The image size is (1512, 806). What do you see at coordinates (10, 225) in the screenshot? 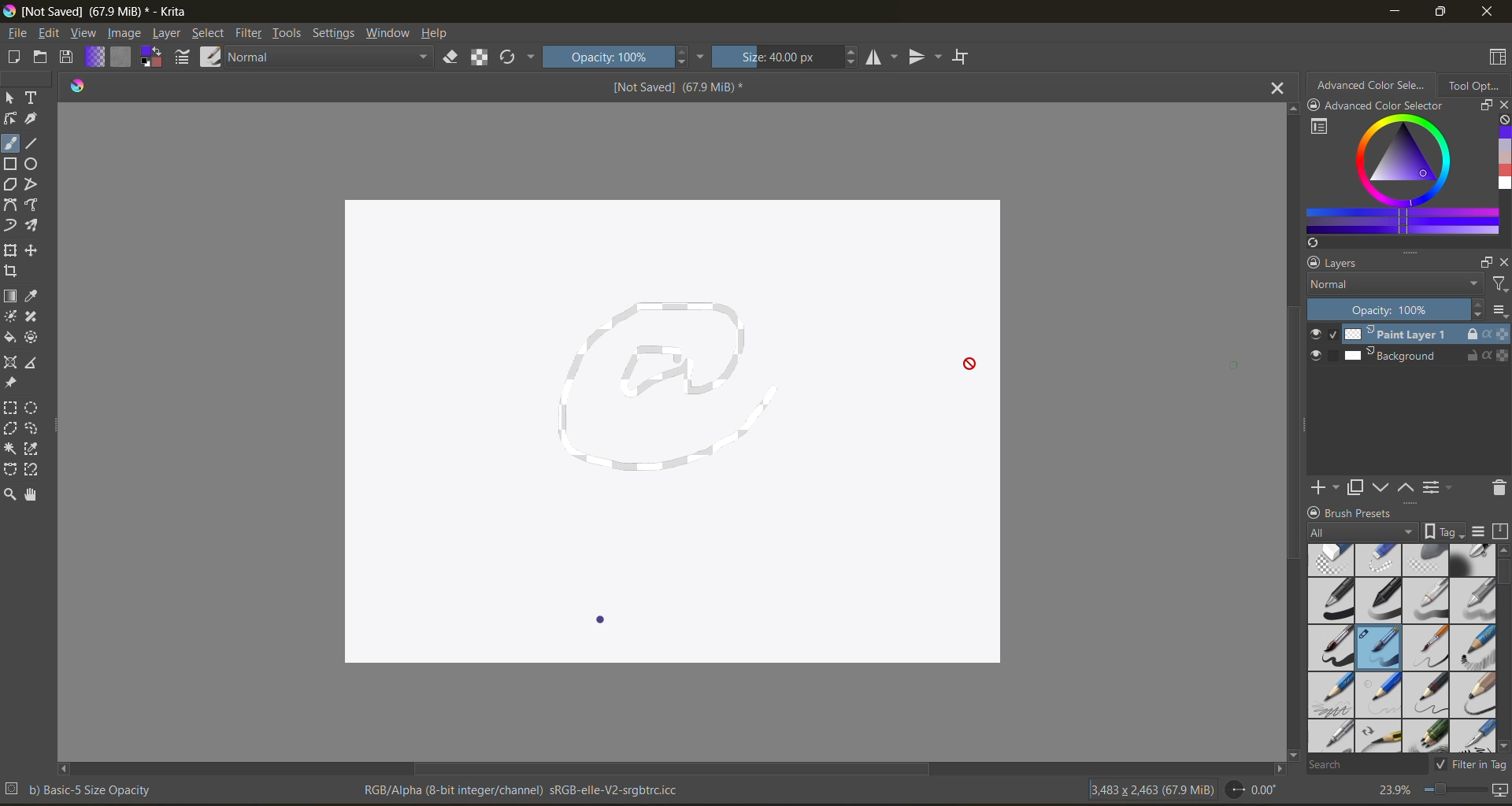
I see `dynamic brush tool` at bounding box center [10, 225].